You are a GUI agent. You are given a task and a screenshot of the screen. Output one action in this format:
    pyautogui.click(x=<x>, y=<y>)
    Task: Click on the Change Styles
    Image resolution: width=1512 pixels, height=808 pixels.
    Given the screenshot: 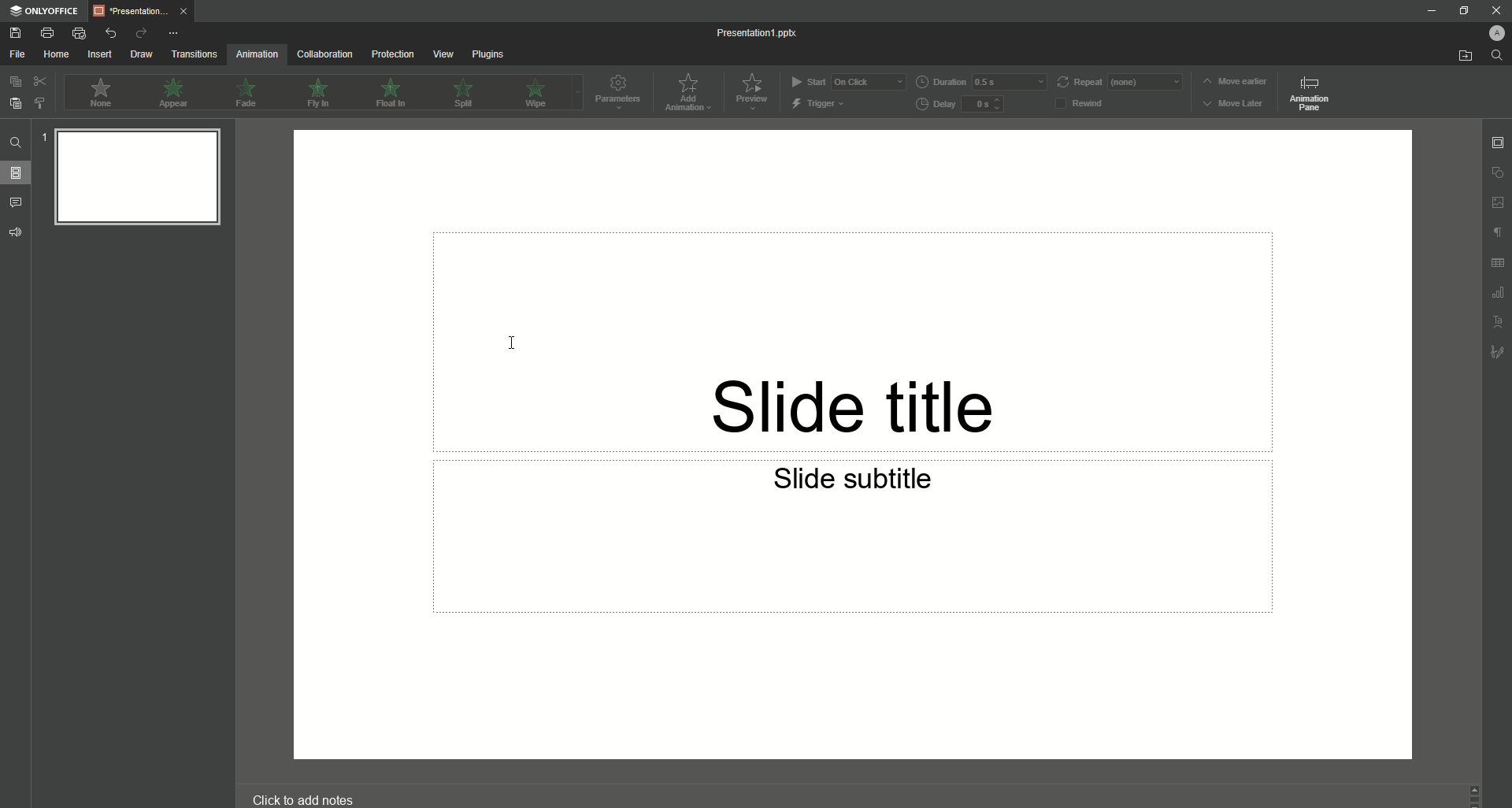 What is the action you would take?
    pyautogui.click(x=39, y=103)
    